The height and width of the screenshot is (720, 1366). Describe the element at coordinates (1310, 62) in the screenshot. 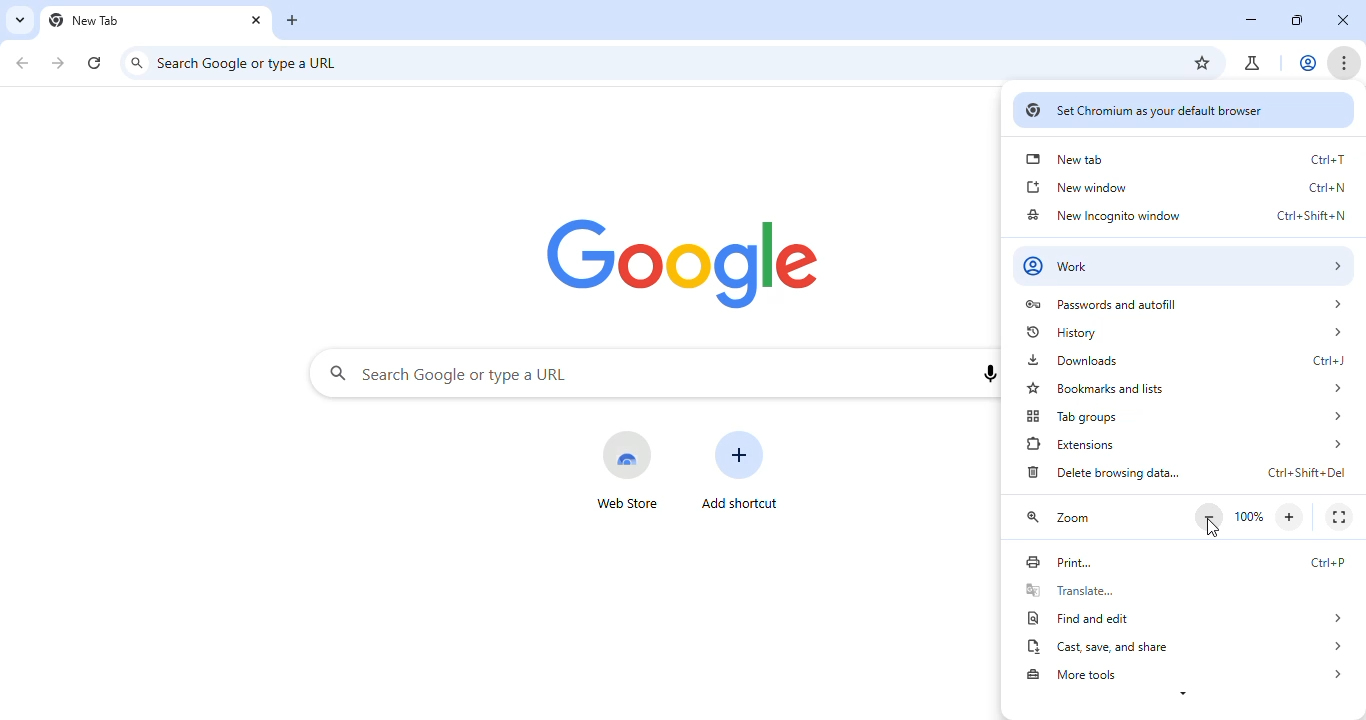

I see `account` at that location.